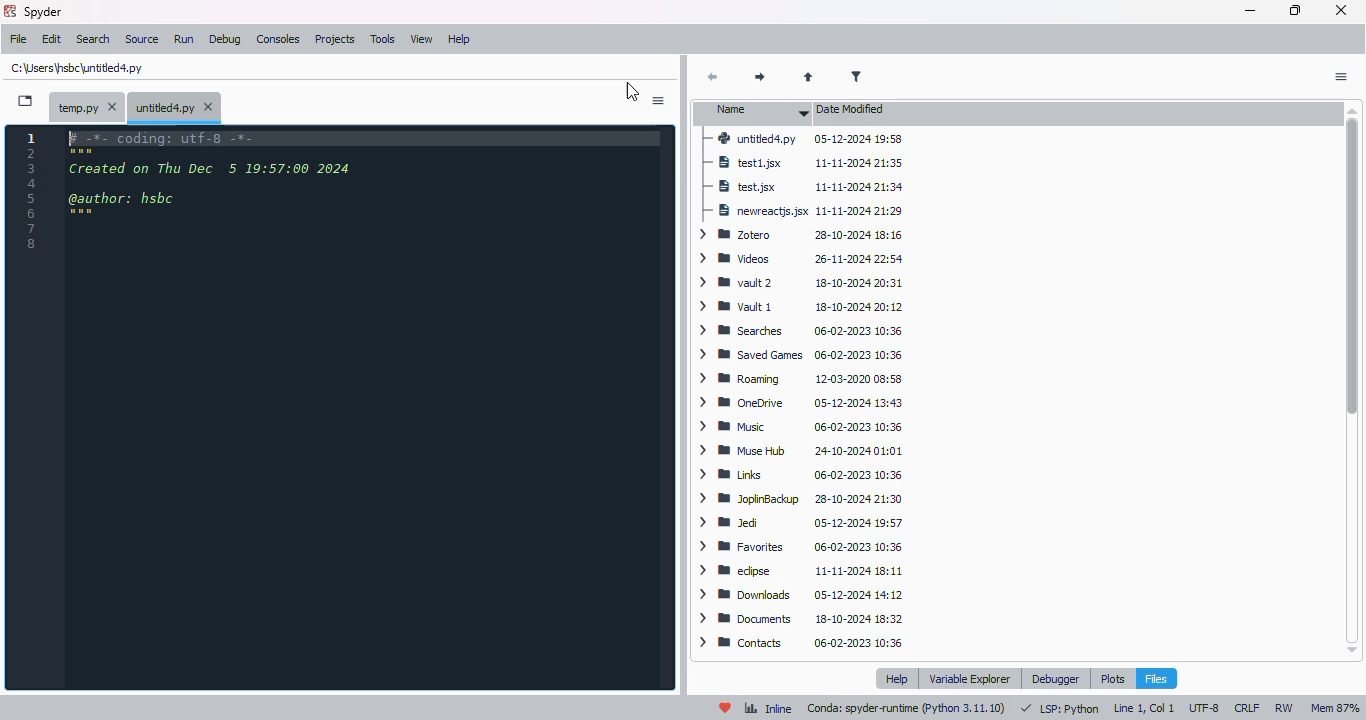  I want to click on Downloads, so click(800, 644).